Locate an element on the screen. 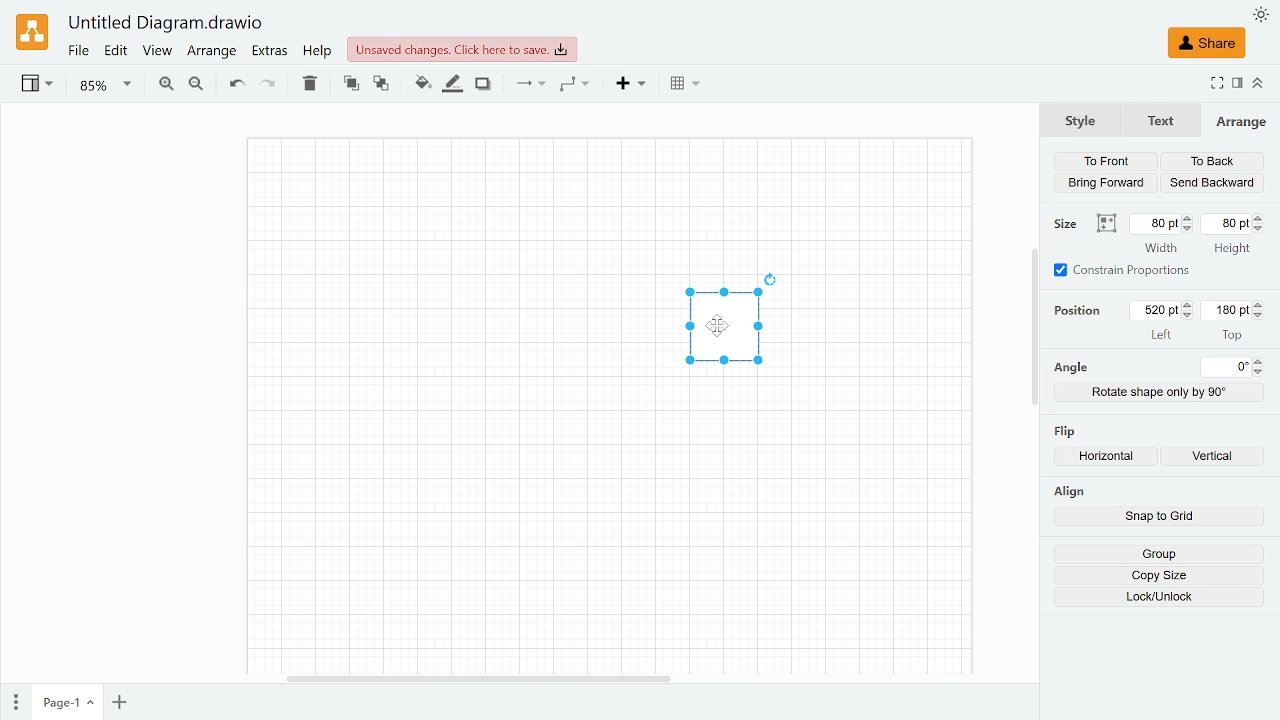 The height and width of the screenshot is (720, 1280). Snap to grid is located at coordinates (1159, 518).